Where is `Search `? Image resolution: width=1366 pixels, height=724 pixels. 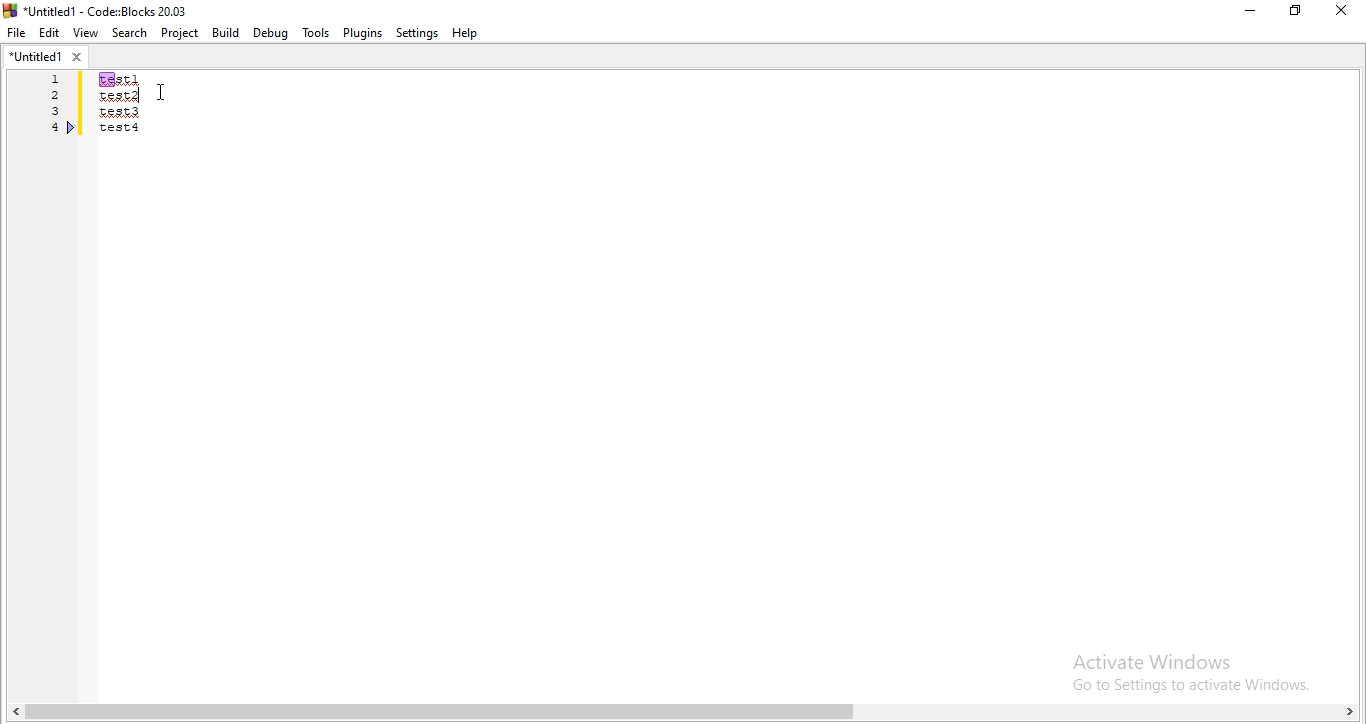
Search  is located at coordinates (131, 34).